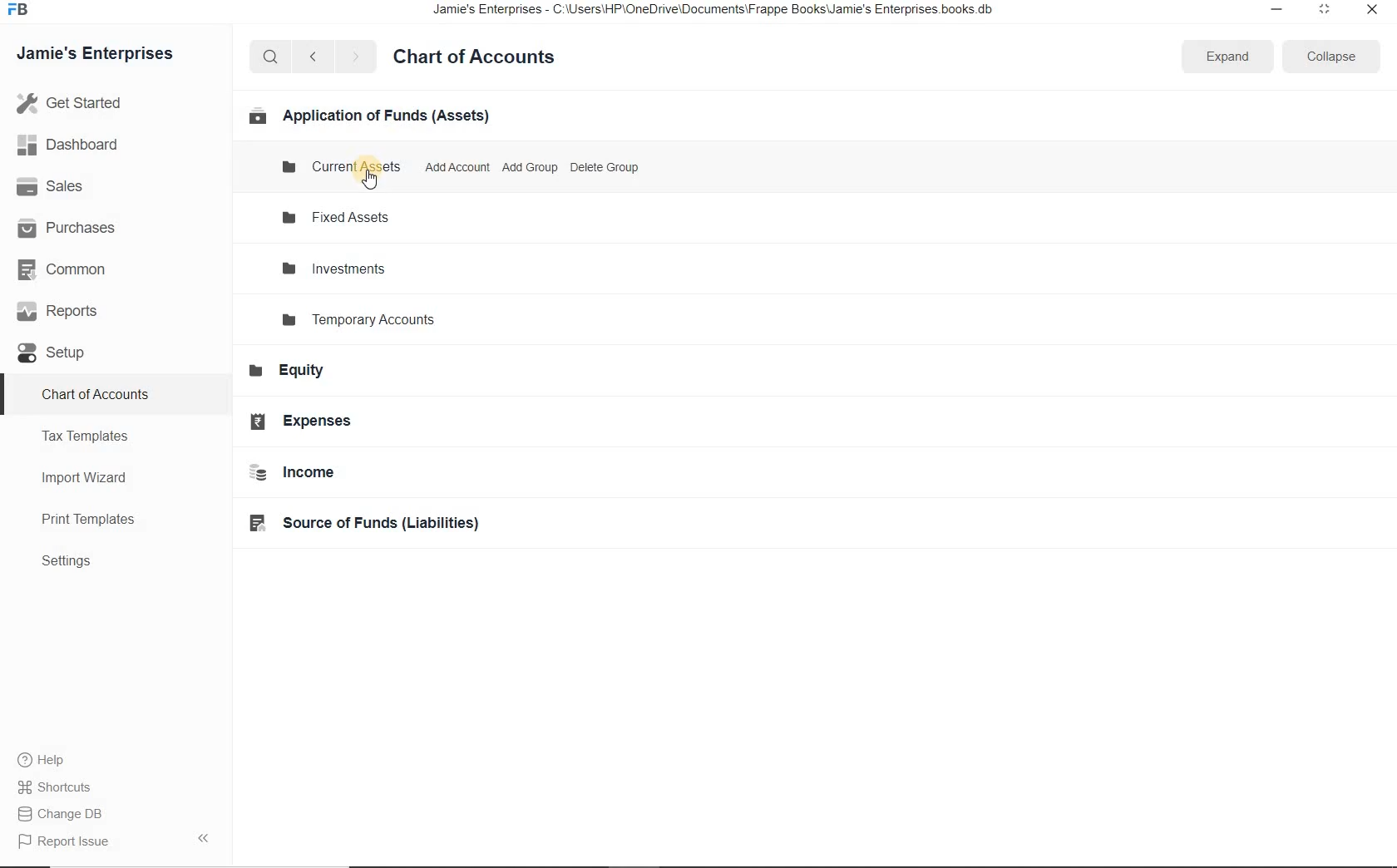 The image size is (1397, 868). Describe the element at coordinates (74, 562) in the screenshot. I see `Settings` at that location.